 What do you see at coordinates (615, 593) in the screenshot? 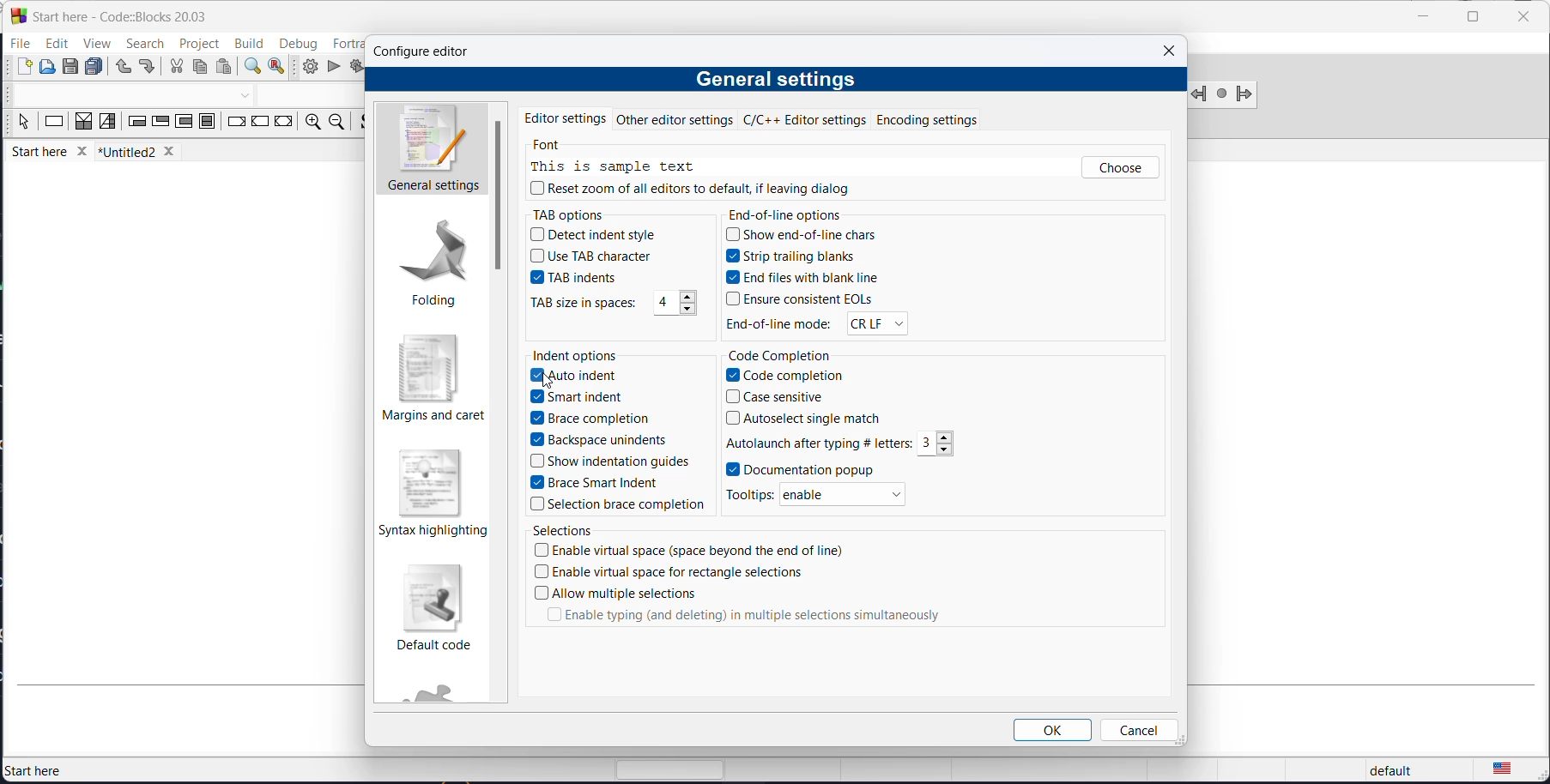
I see `allow multiple selection checkbox` at bounding box center [615, 593].